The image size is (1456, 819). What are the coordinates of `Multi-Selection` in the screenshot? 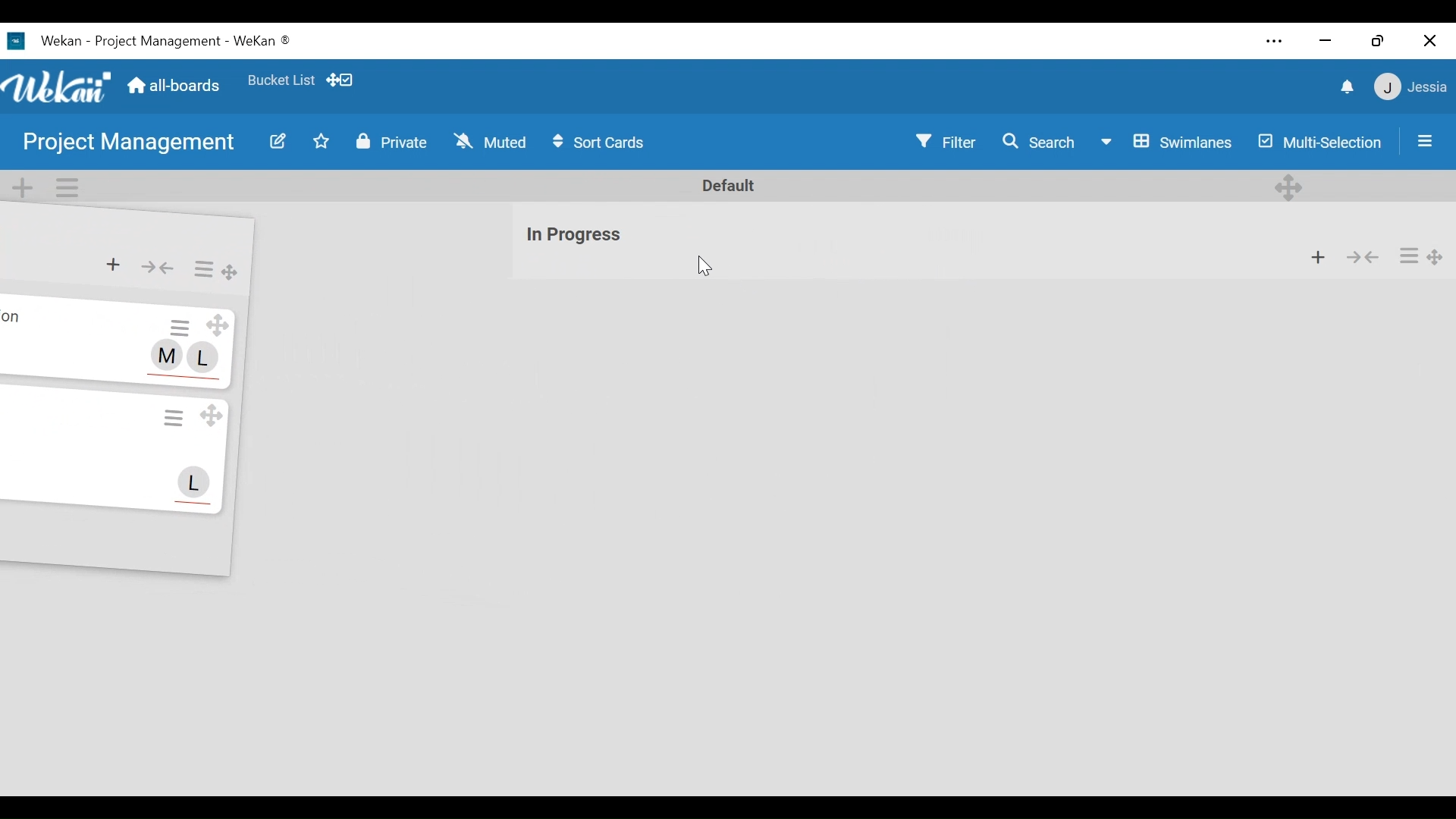 It's located at (1318, 142).